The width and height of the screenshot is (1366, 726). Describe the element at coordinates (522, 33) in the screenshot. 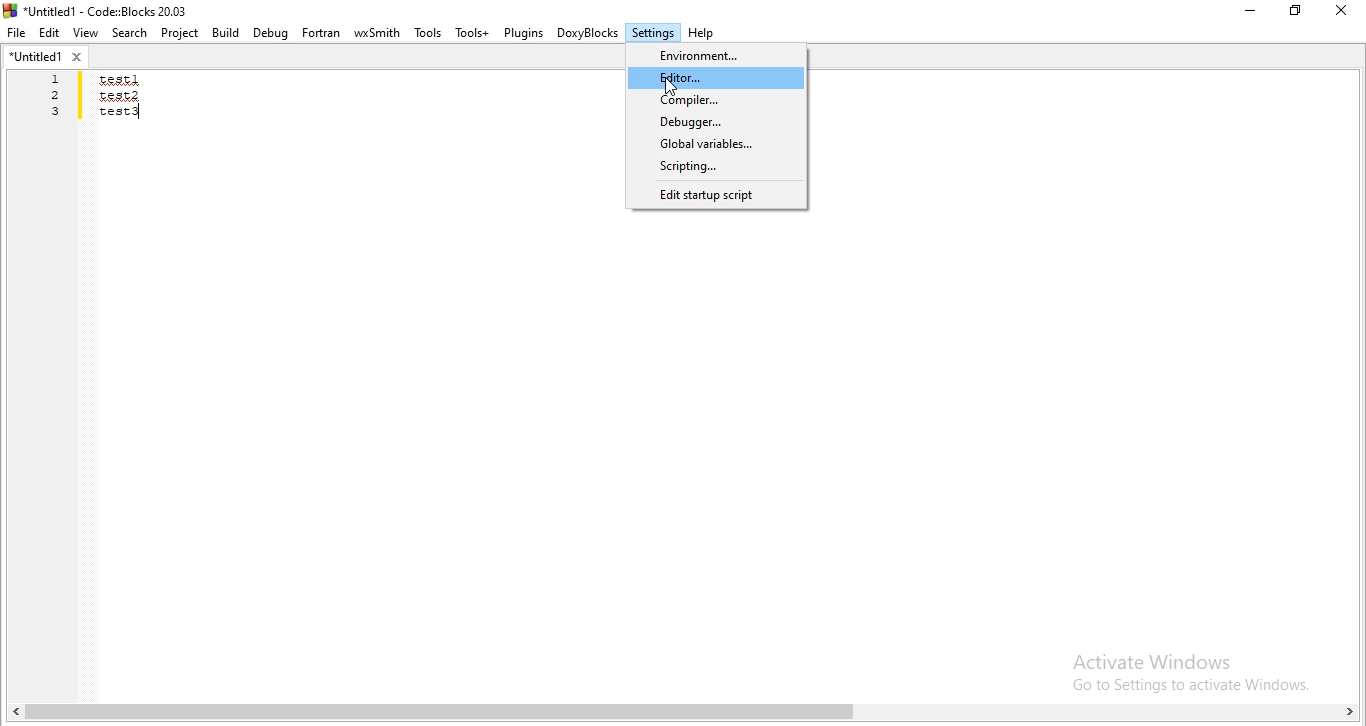

I see `Plugins ` at that location.